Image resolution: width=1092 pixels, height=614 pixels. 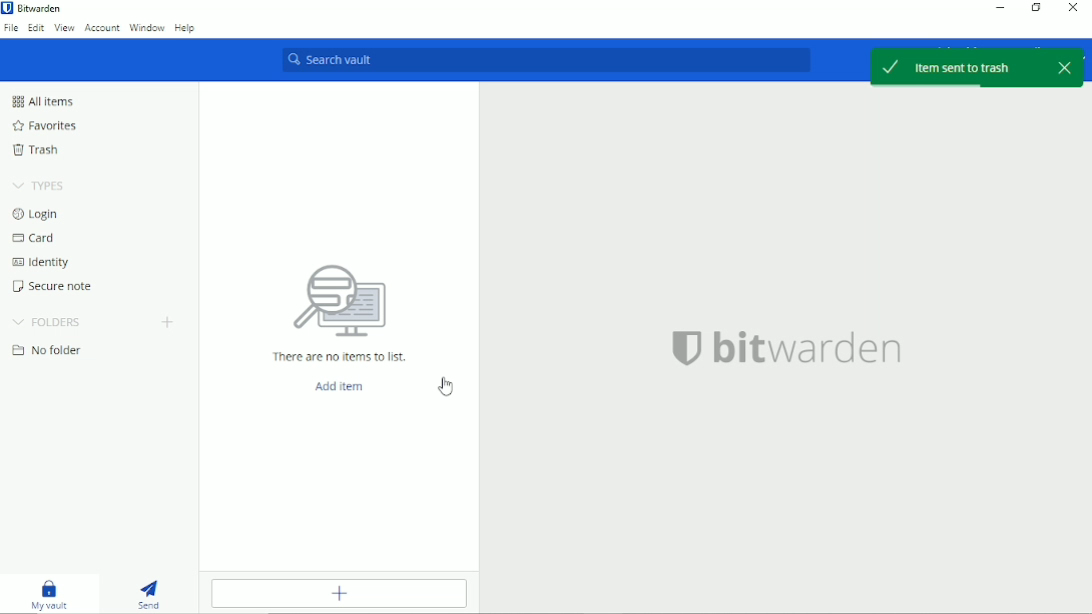 What do you see at coordinates (446, 387) in the screenshot?
I see `Cursor` at bounding box center [446, 387].